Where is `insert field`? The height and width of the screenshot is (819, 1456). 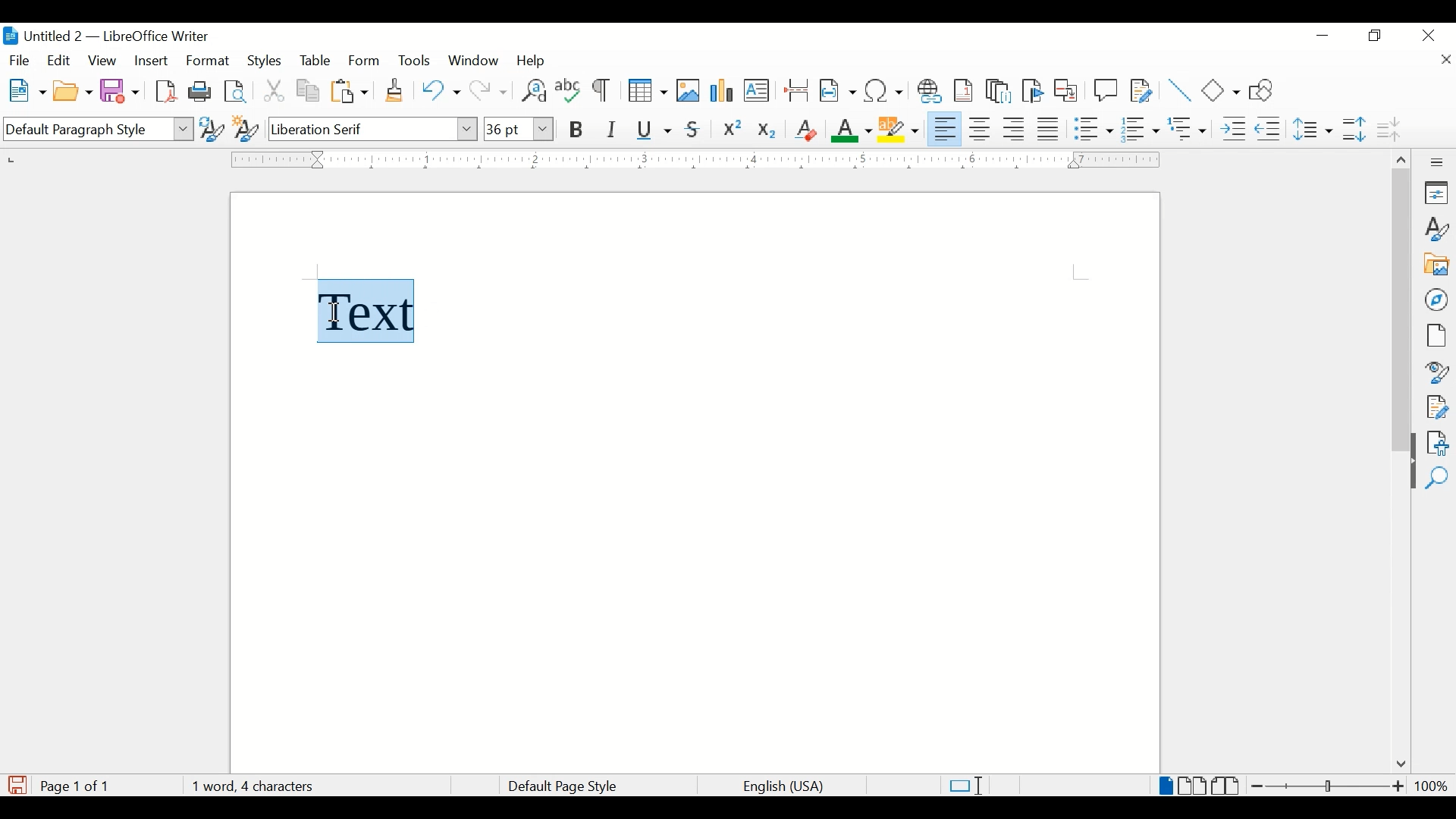 insert field is located at coordinates (838, 90).